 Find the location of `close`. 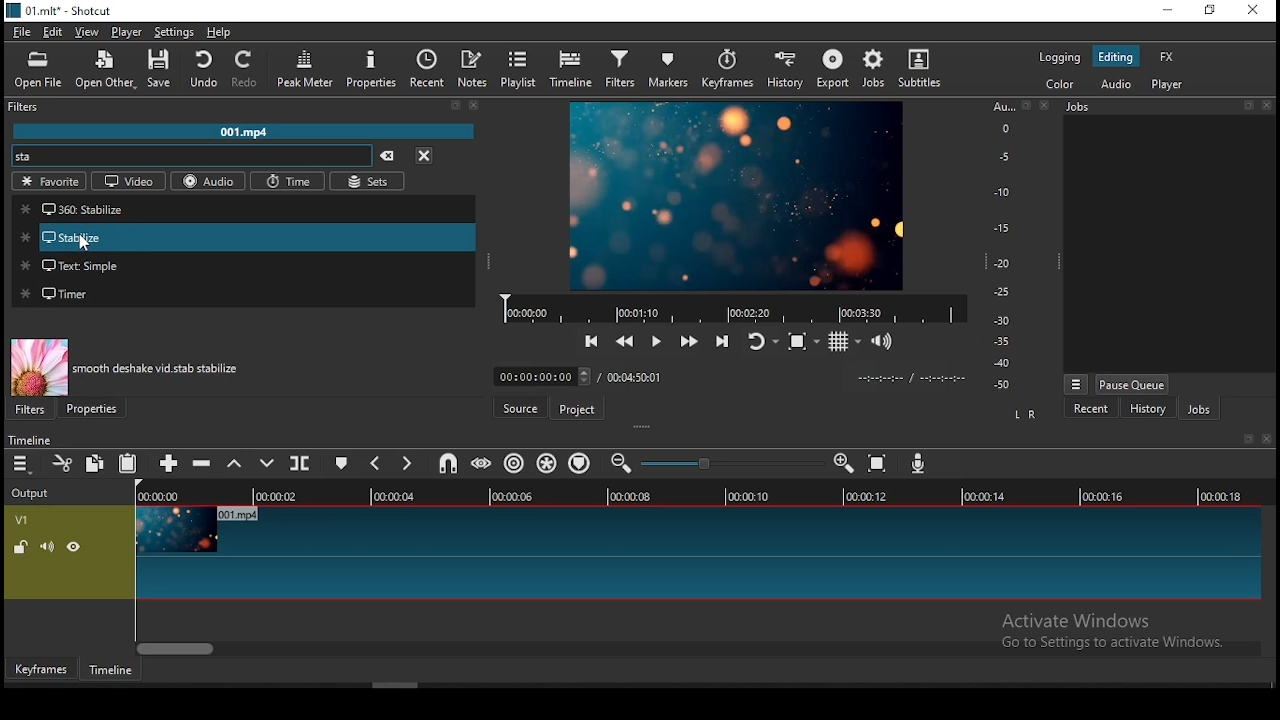

close is located at coordinates (1046, 106).